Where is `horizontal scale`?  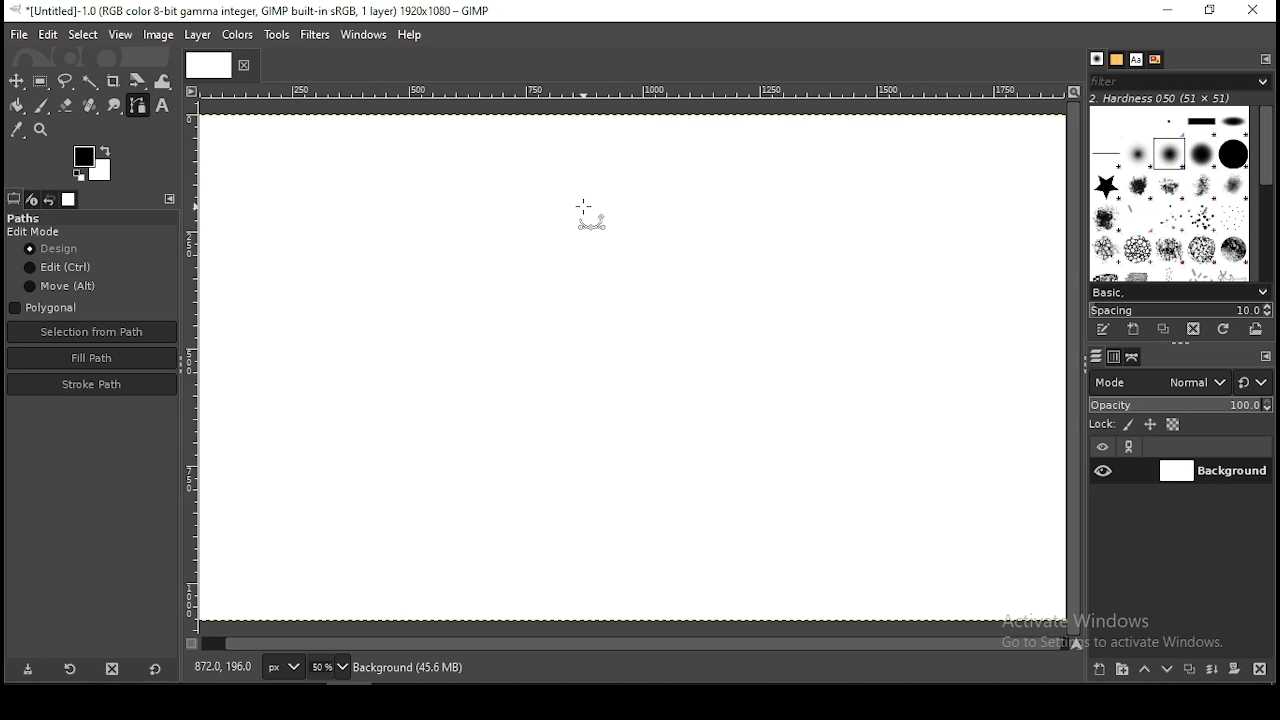 horizontal scale is located at coordinates (631, 94).